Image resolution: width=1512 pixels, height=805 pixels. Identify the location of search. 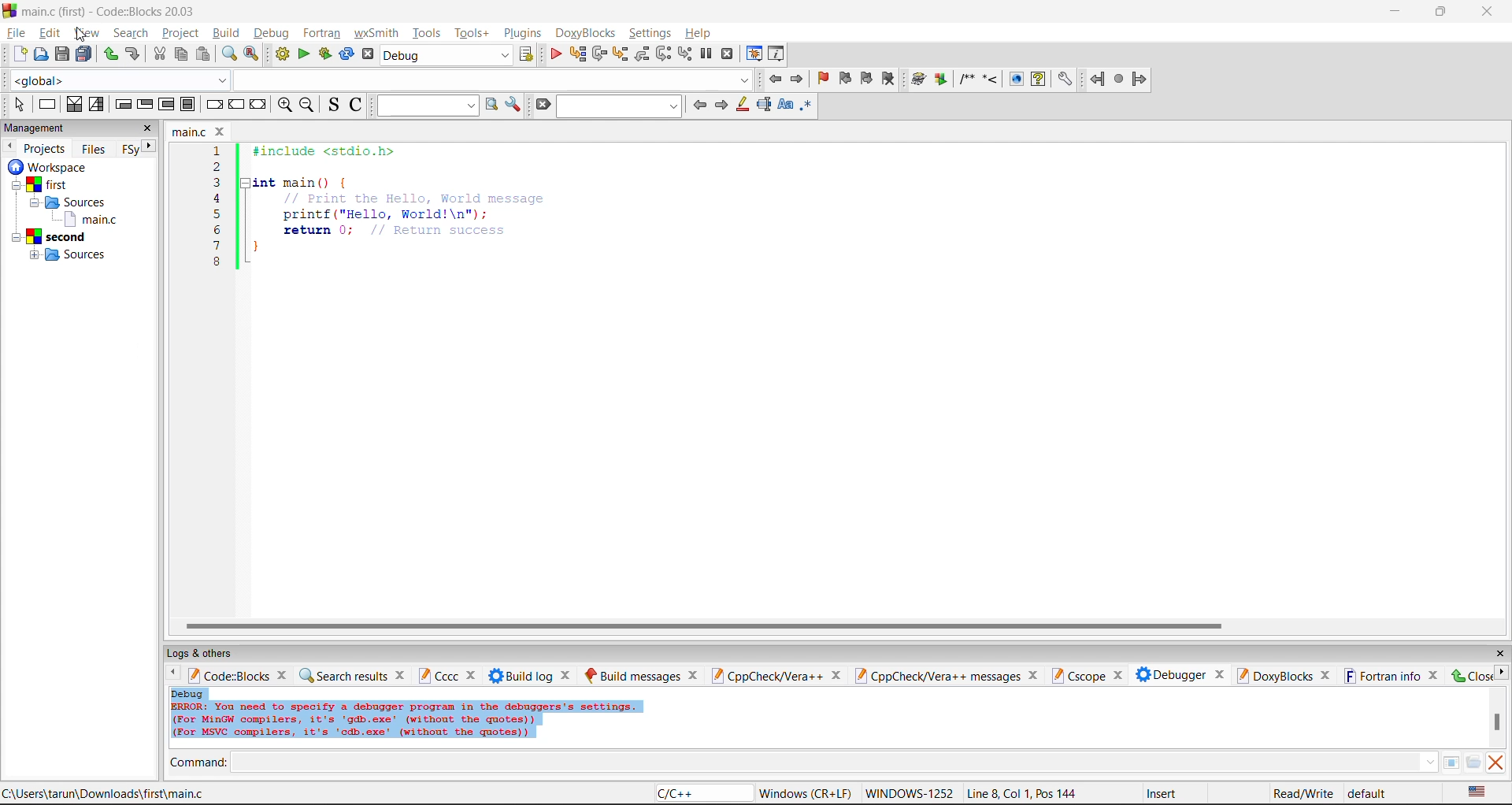
(619, 107).